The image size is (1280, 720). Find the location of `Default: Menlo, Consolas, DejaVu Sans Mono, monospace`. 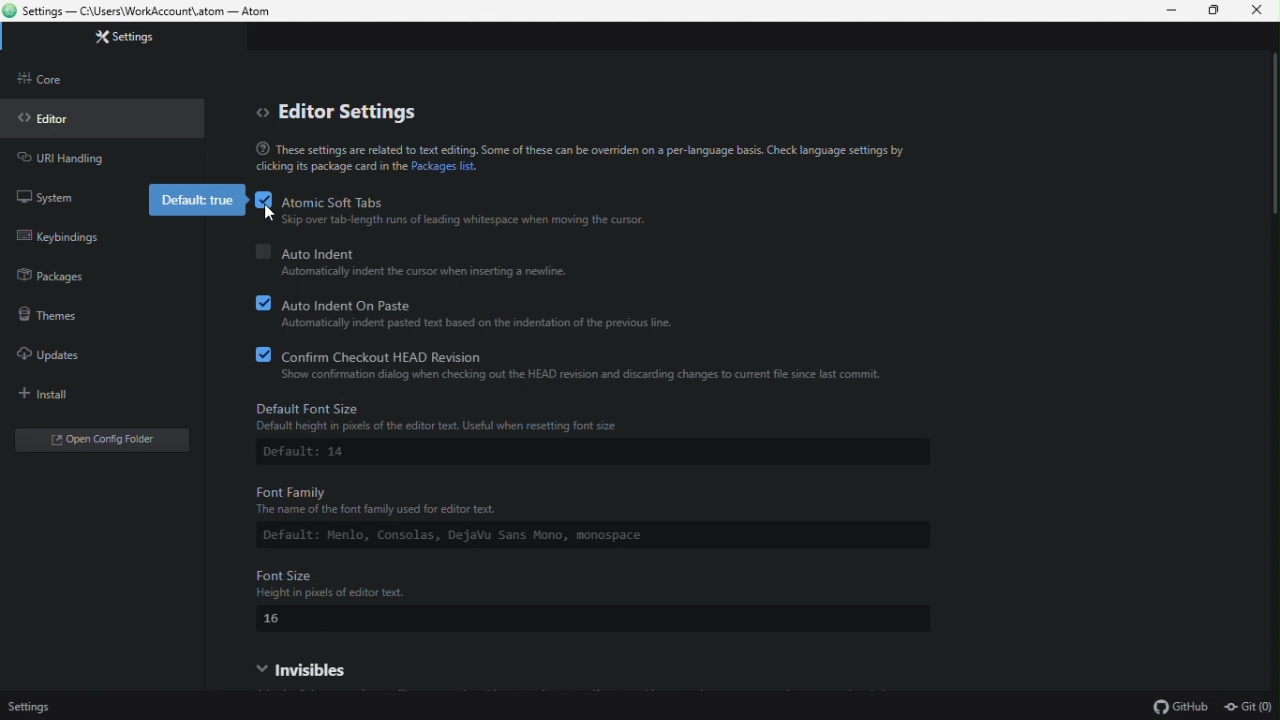

Default: Menlo, Consolas, DejaVu Sans Mono, monospace is located at coordinates (492, 536).